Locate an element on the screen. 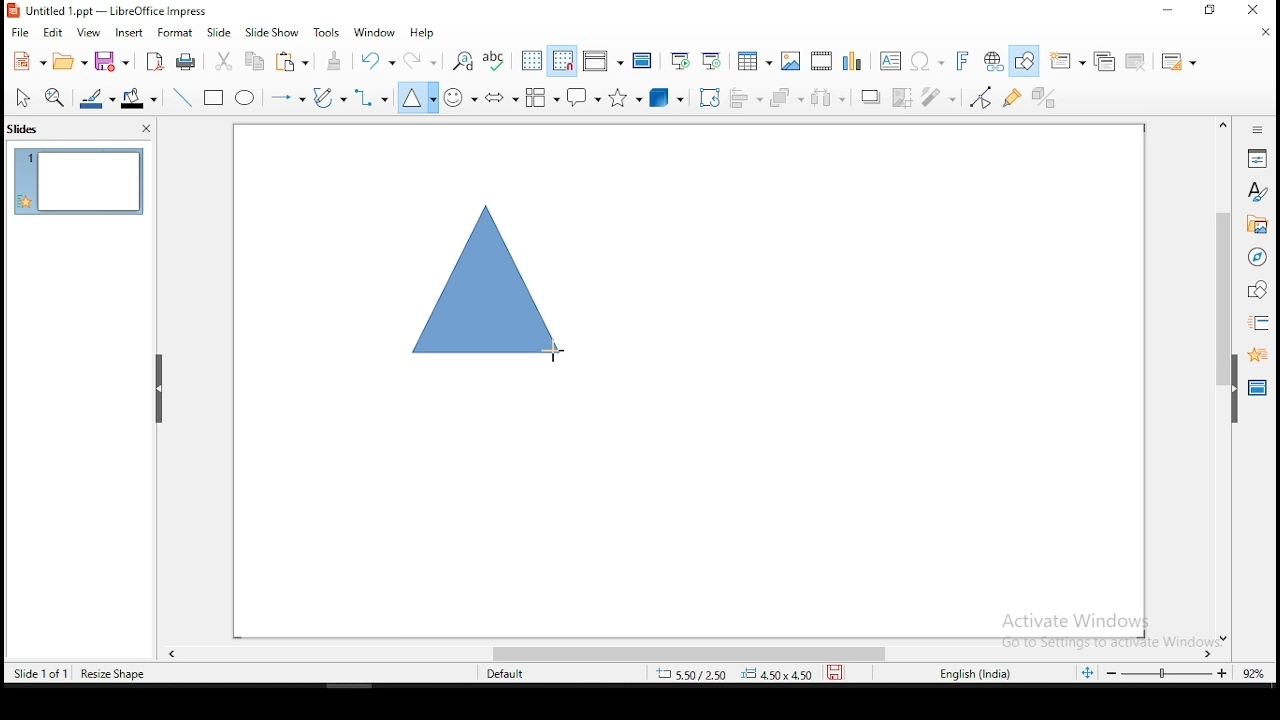 Image resolution: width=1280 pixels, height=720 pixels. slide is located at coordinates (220, 30).